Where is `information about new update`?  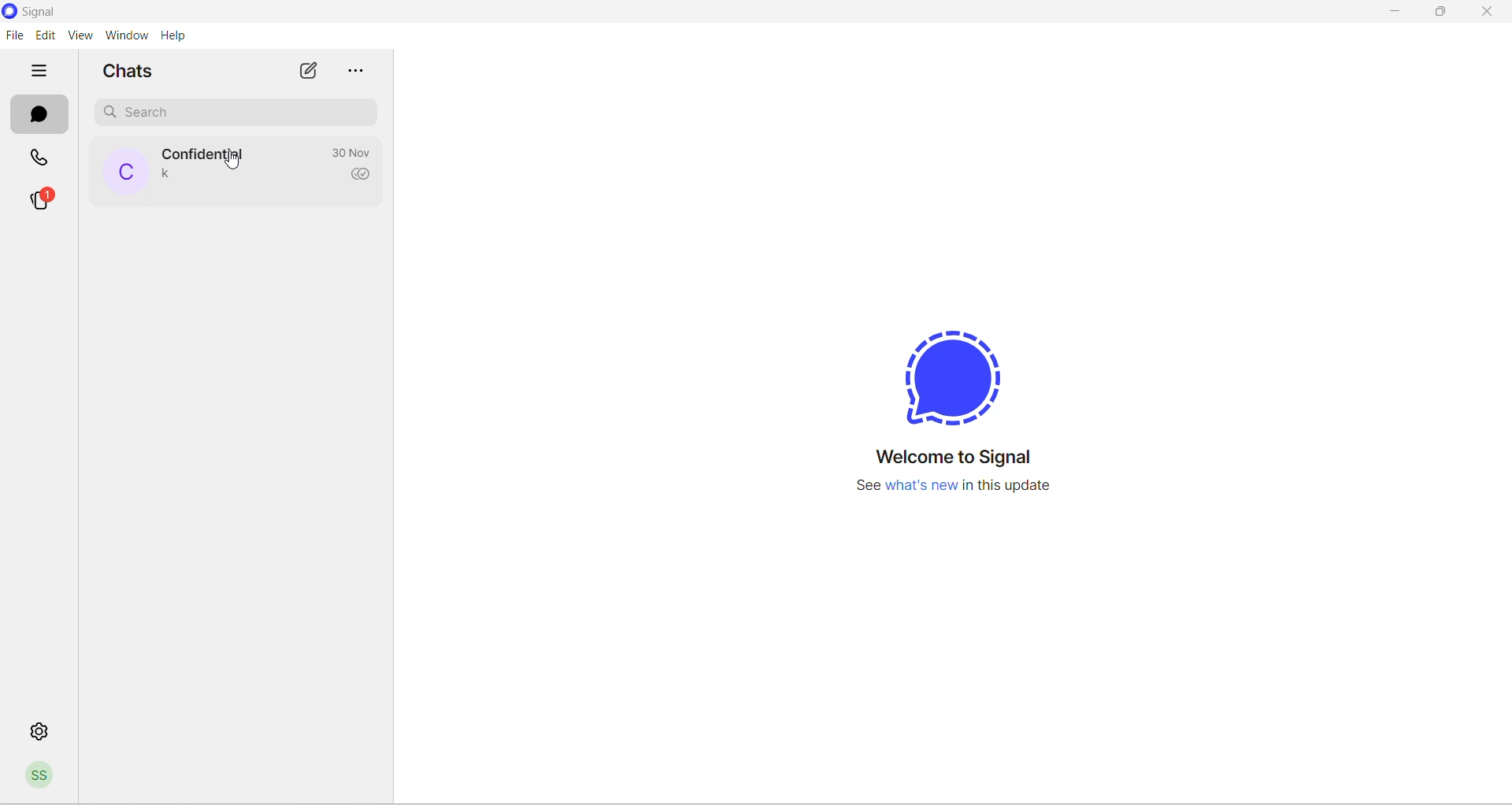 information about new update is located at coordinates (962, 487).